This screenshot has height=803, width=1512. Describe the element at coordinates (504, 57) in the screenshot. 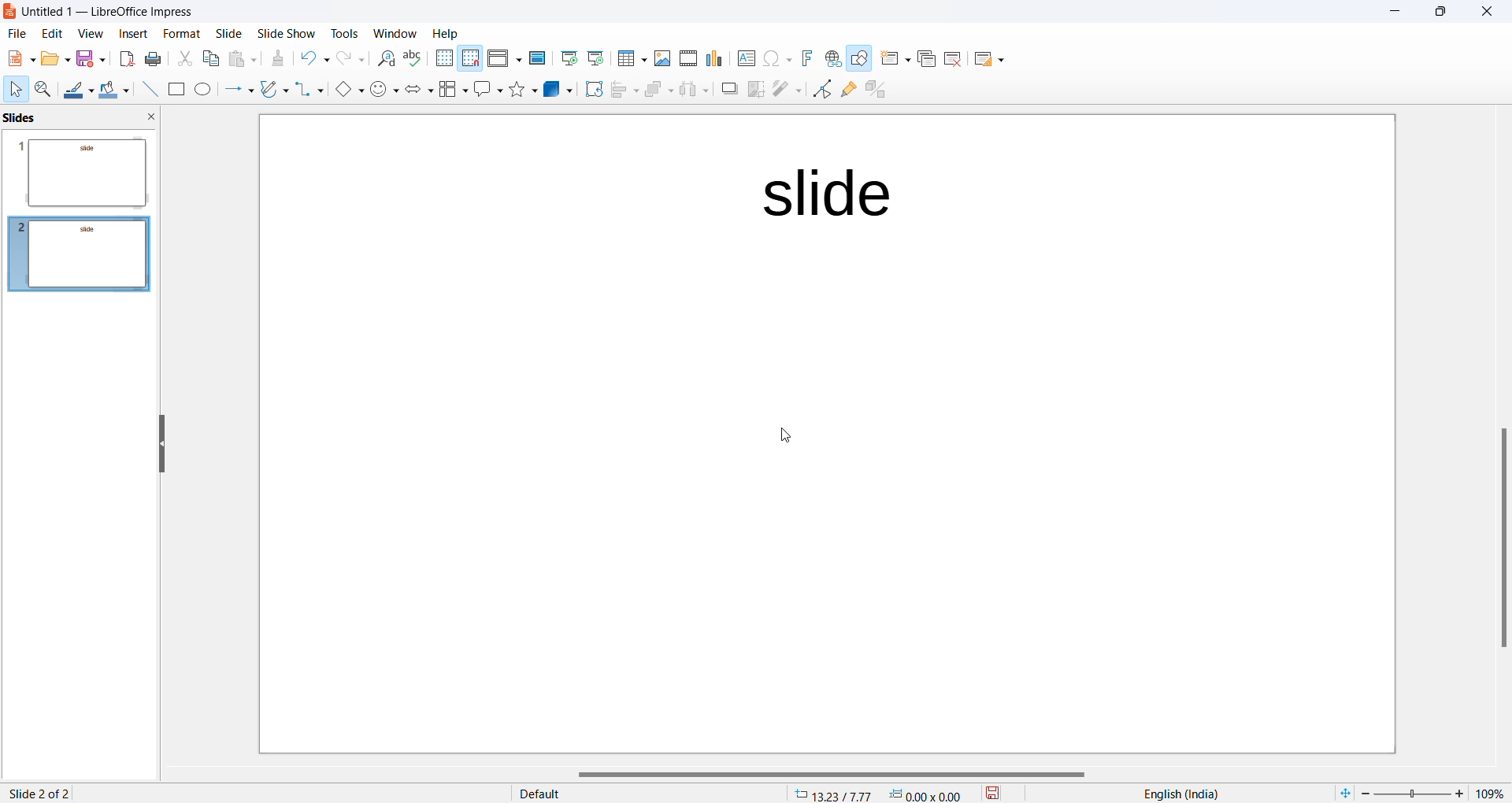

I see `Display views` at that location.